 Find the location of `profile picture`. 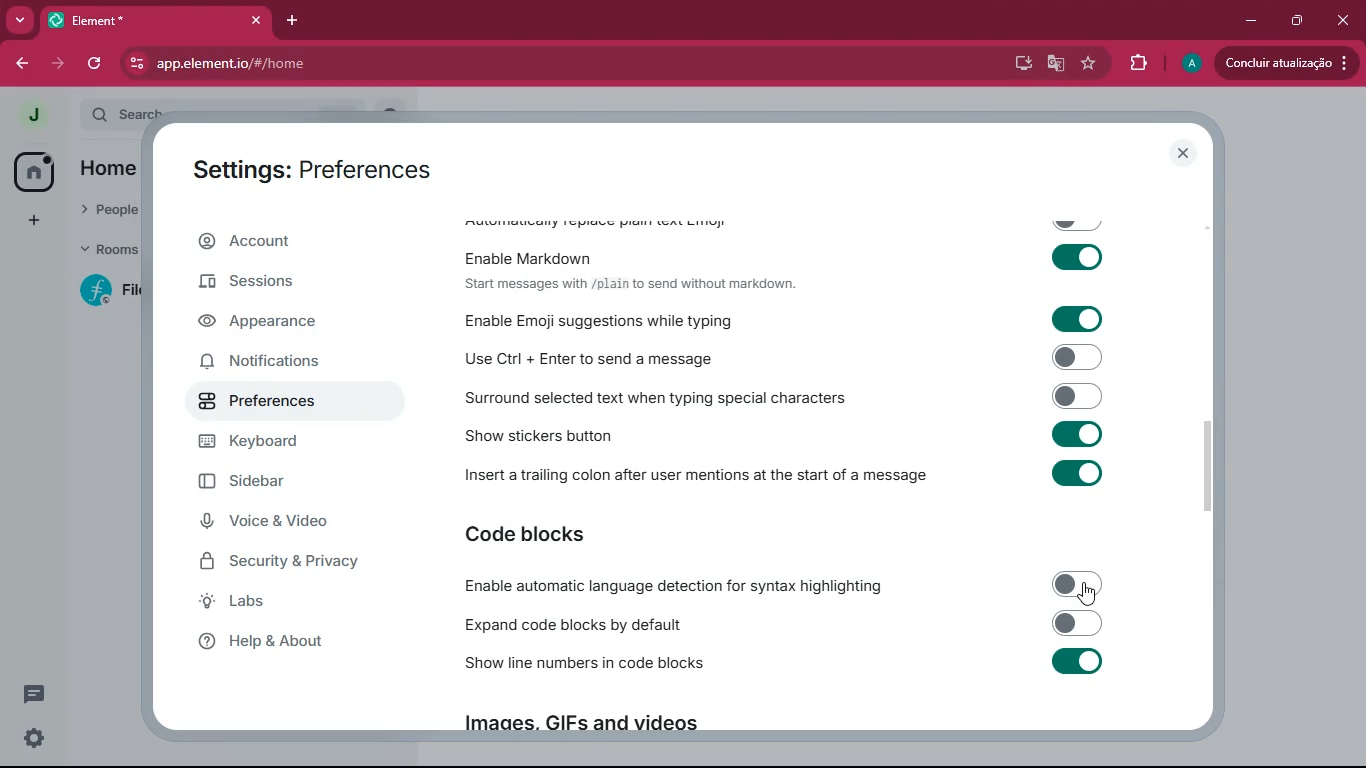

profile picture is located at coordinates (27, 114).